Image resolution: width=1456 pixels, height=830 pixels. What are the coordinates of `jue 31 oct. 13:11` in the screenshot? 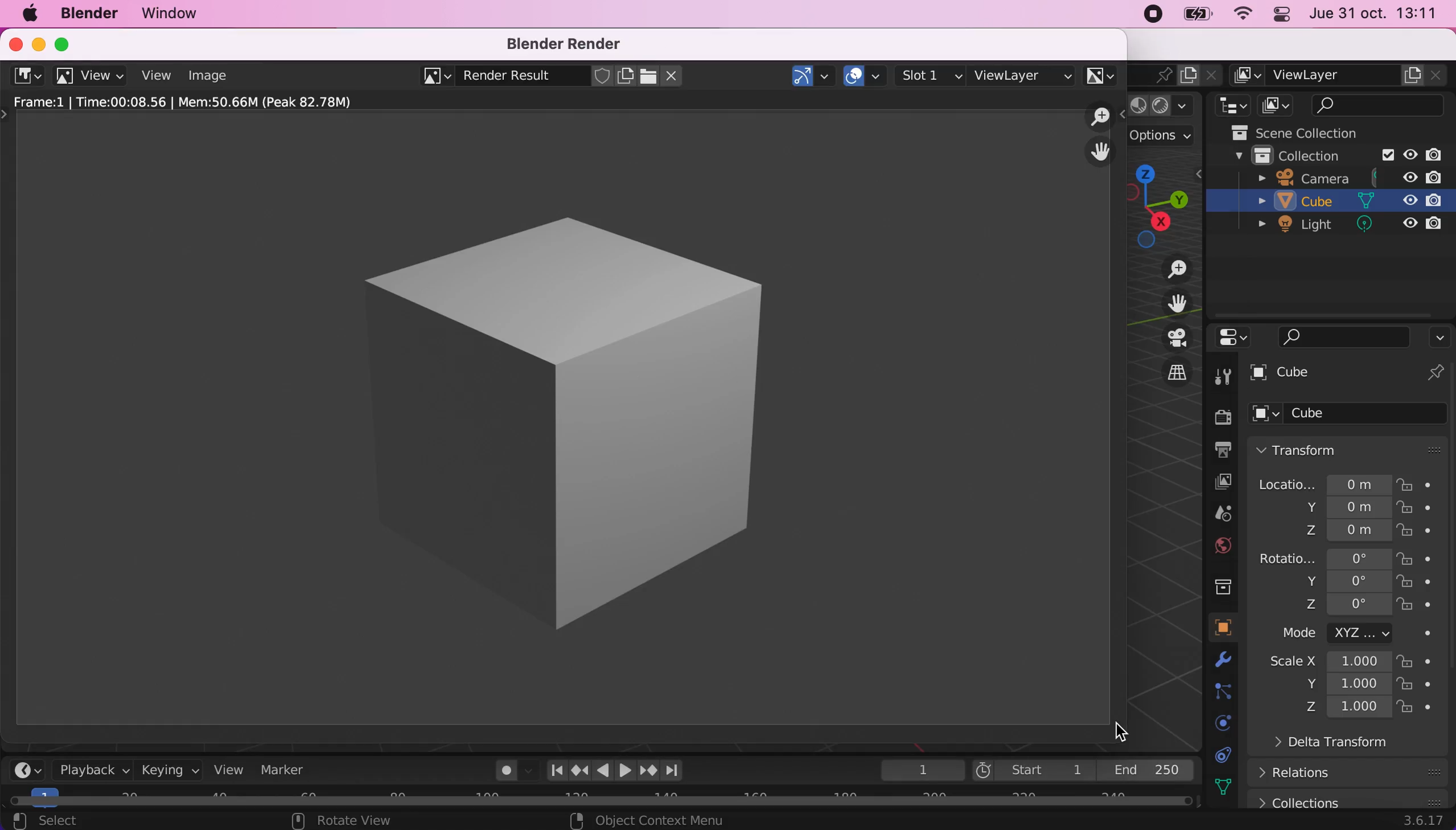 It's located at (1380, 15).